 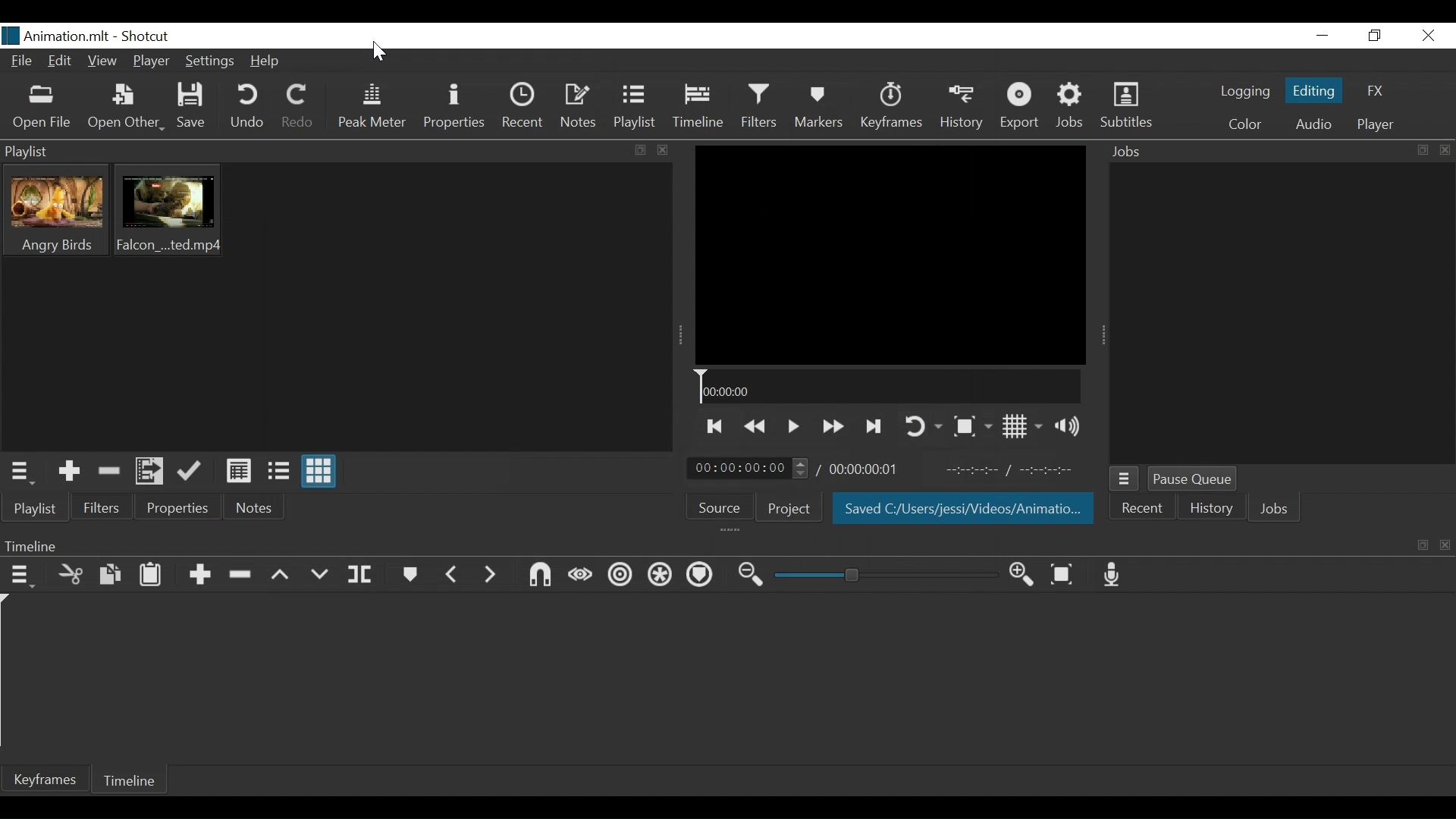 I want to click on Keyframes, so click(x=894, y=106).